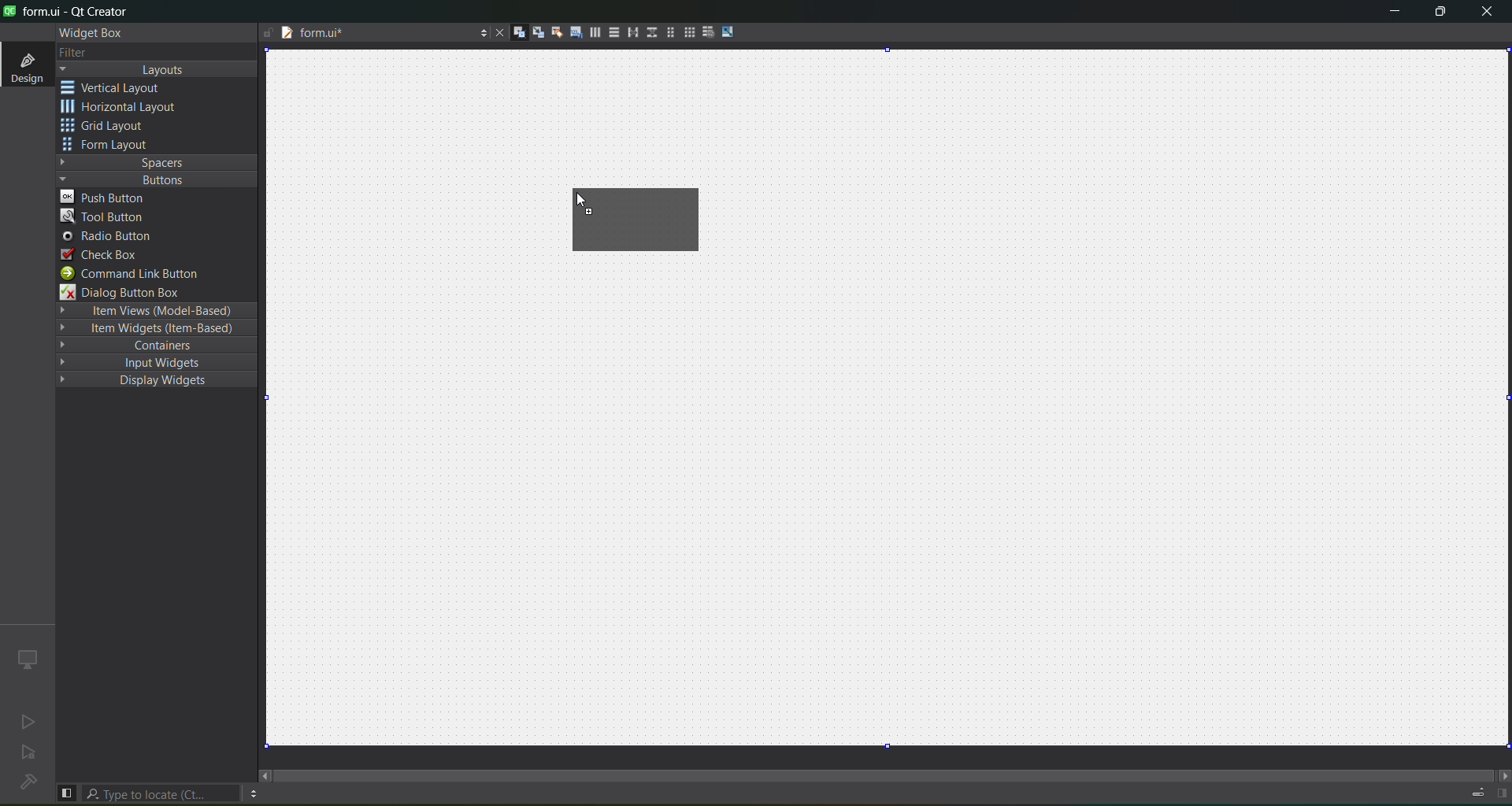 This screenshot has width=1512, height=806. I want to click on edit tab, so click(576, 35).